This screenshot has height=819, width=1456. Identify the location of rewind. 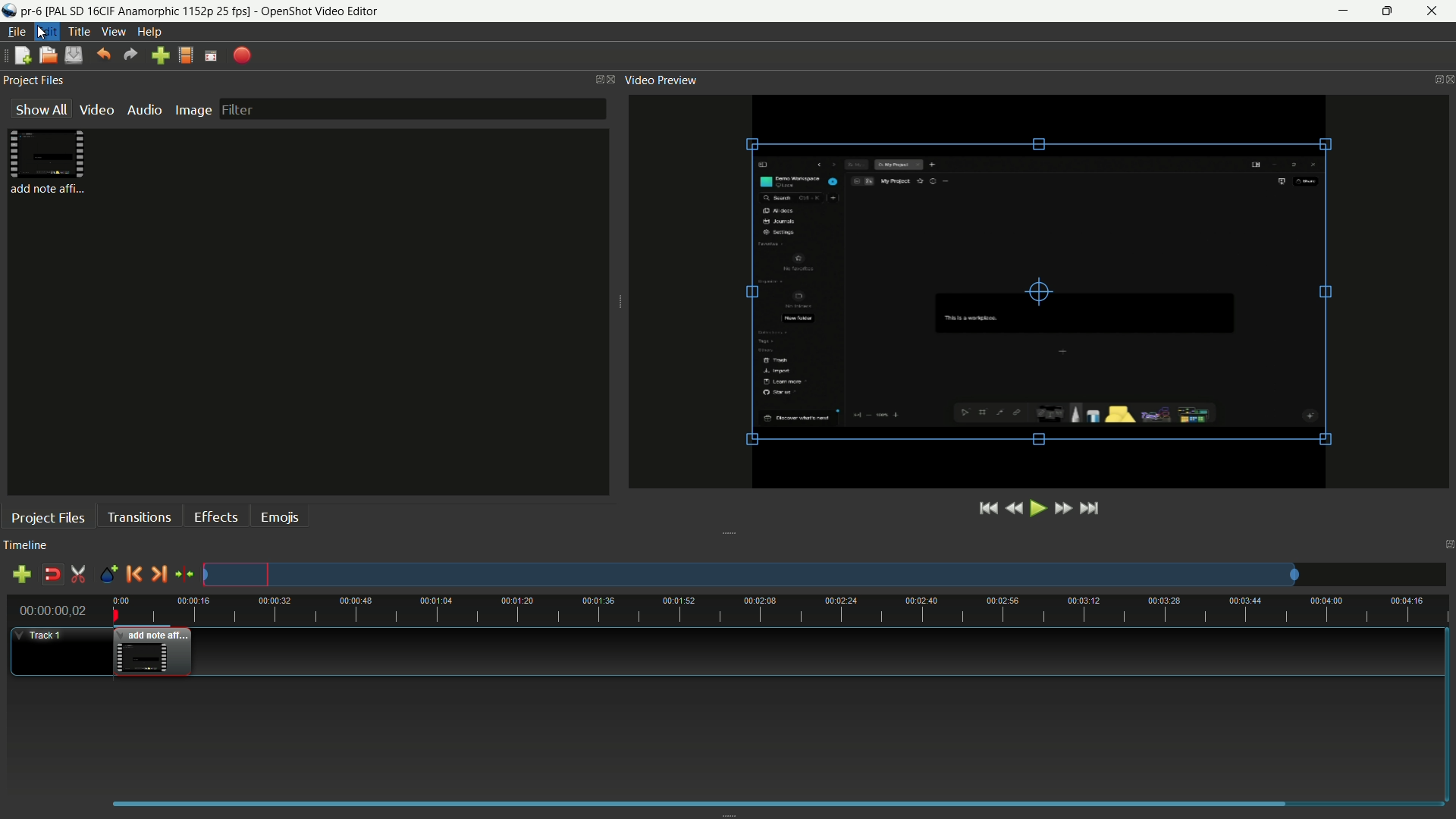
(1014, 508).